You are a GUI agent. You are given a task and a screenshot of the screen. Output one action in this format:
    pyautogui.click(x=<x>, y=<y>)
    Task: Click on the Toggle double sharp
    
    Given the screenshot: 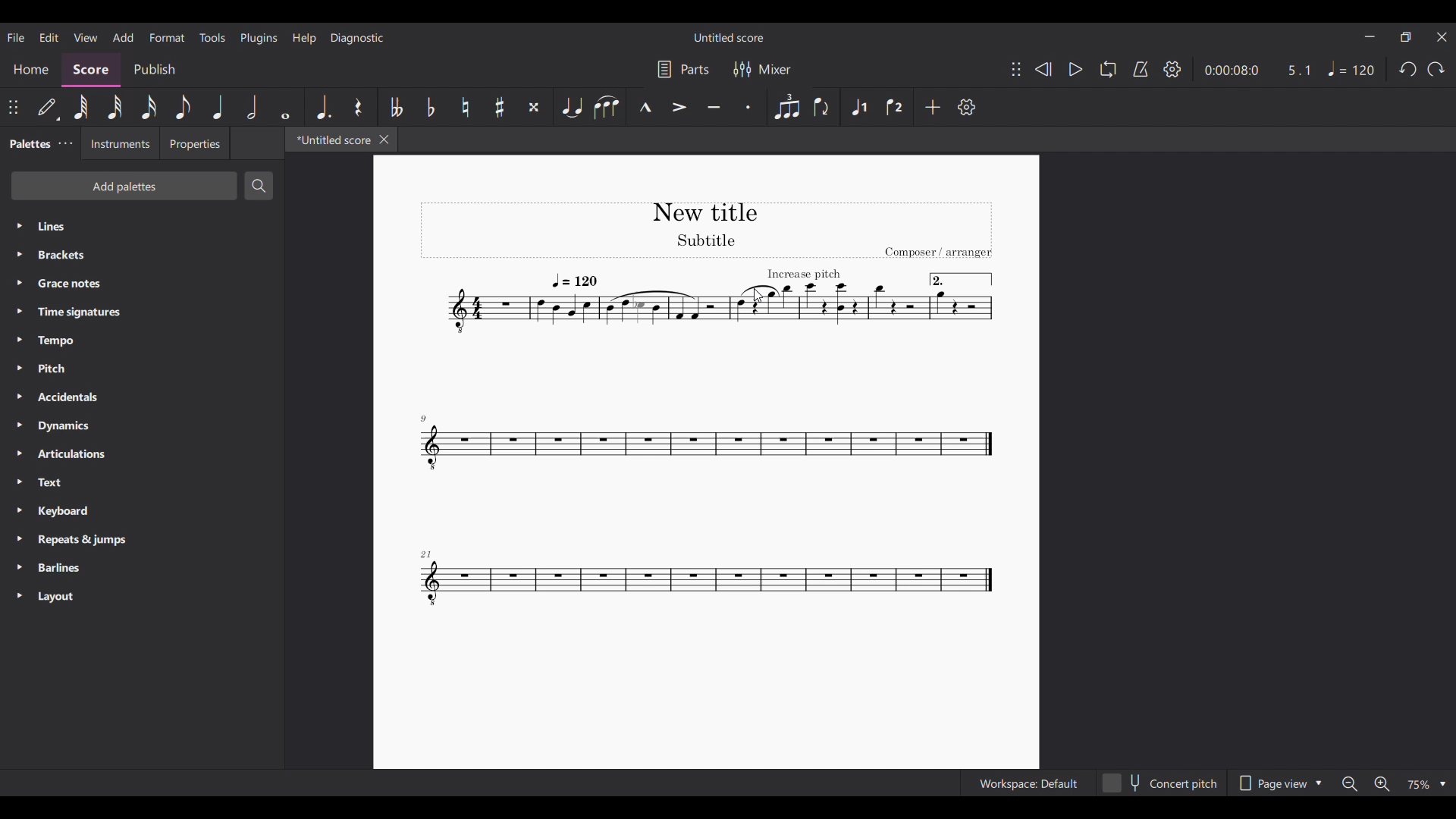 What is the action you would take?
    pyautogui.click(x=534, y=107)
    